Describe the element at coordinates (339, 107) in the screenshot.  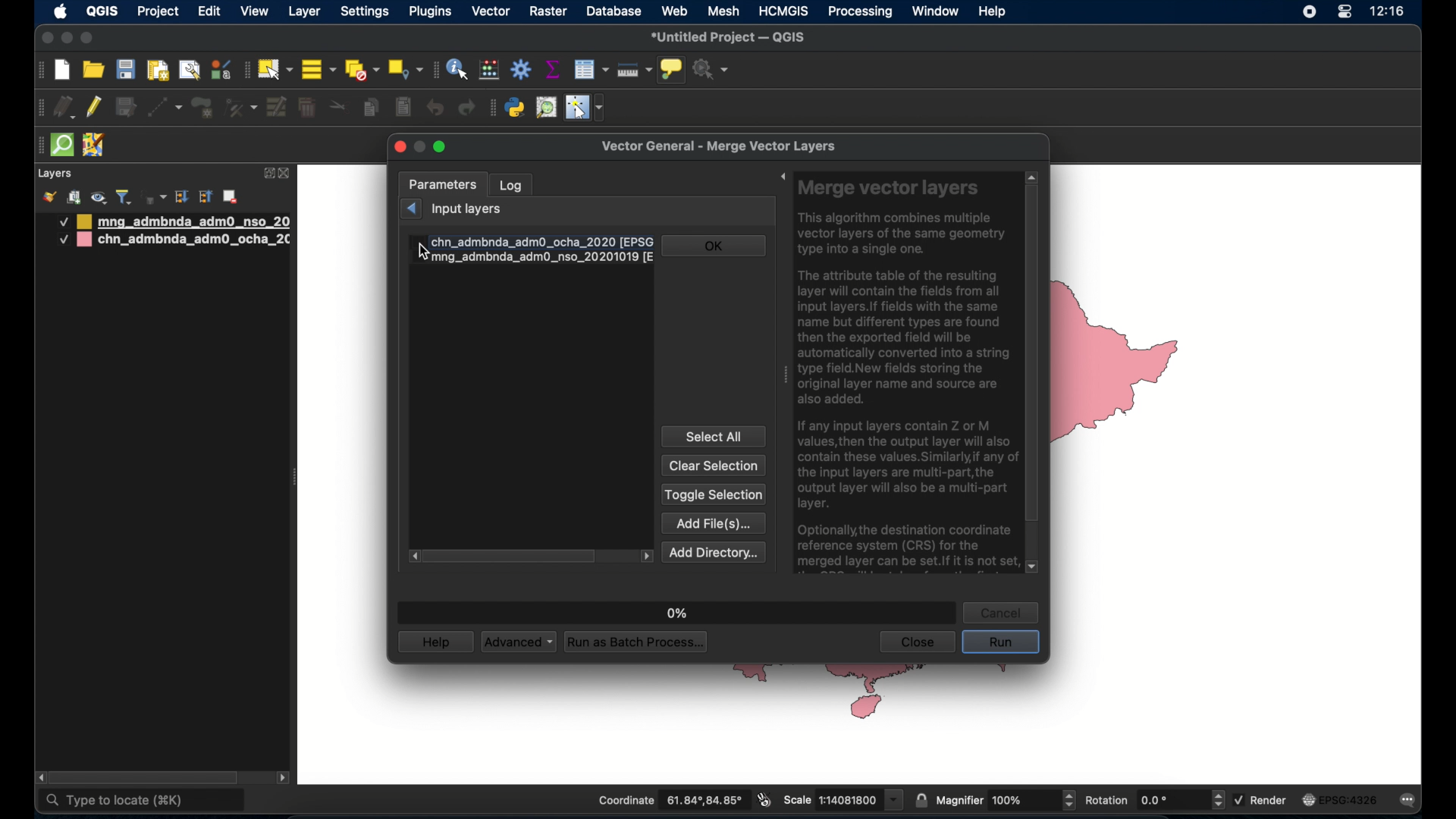
I see `cut features` at that location.